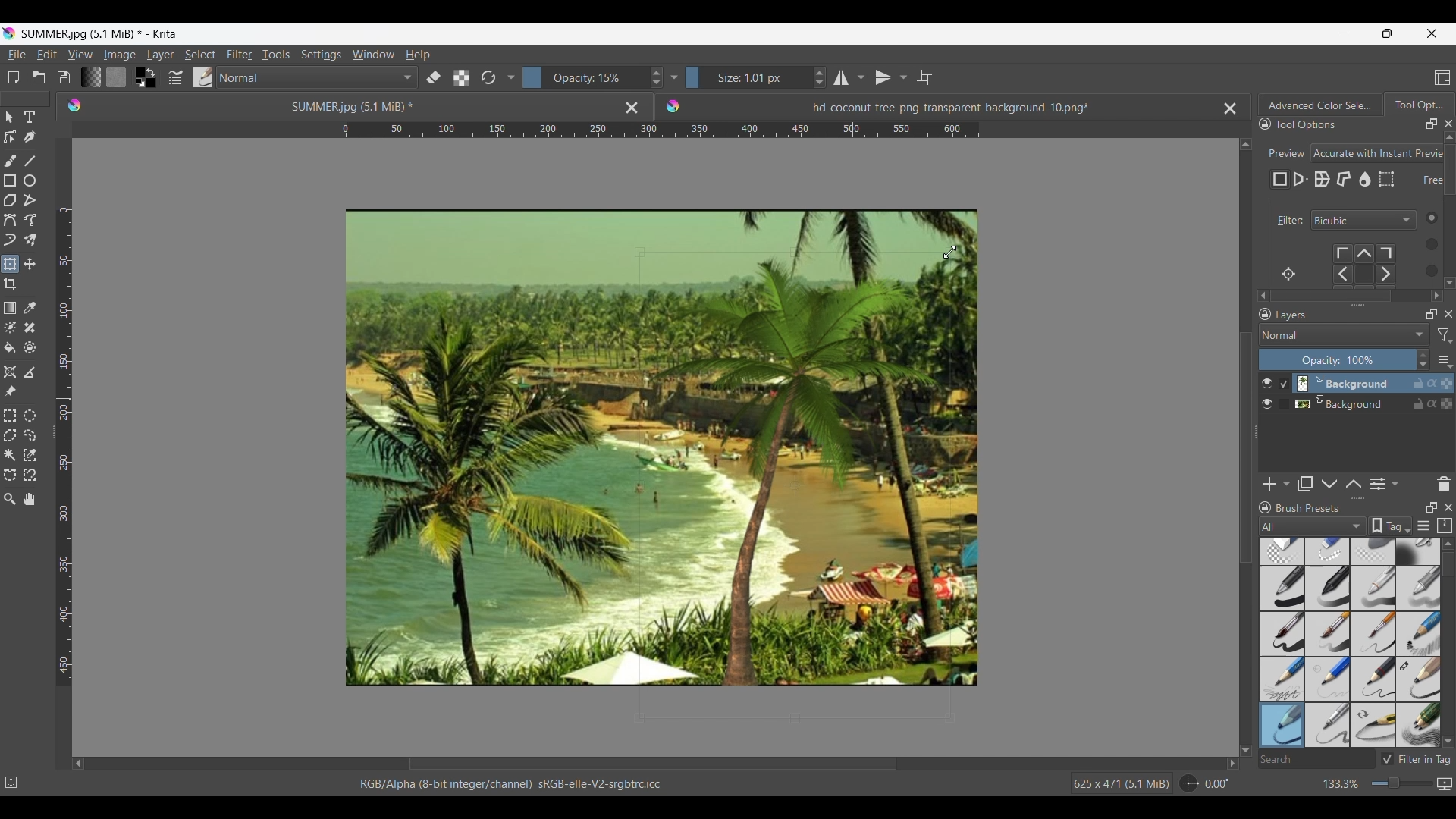 The height and width of the screenshot is (819, 1456). I want to click on pencil 2b-my point, so click(1280, 678).